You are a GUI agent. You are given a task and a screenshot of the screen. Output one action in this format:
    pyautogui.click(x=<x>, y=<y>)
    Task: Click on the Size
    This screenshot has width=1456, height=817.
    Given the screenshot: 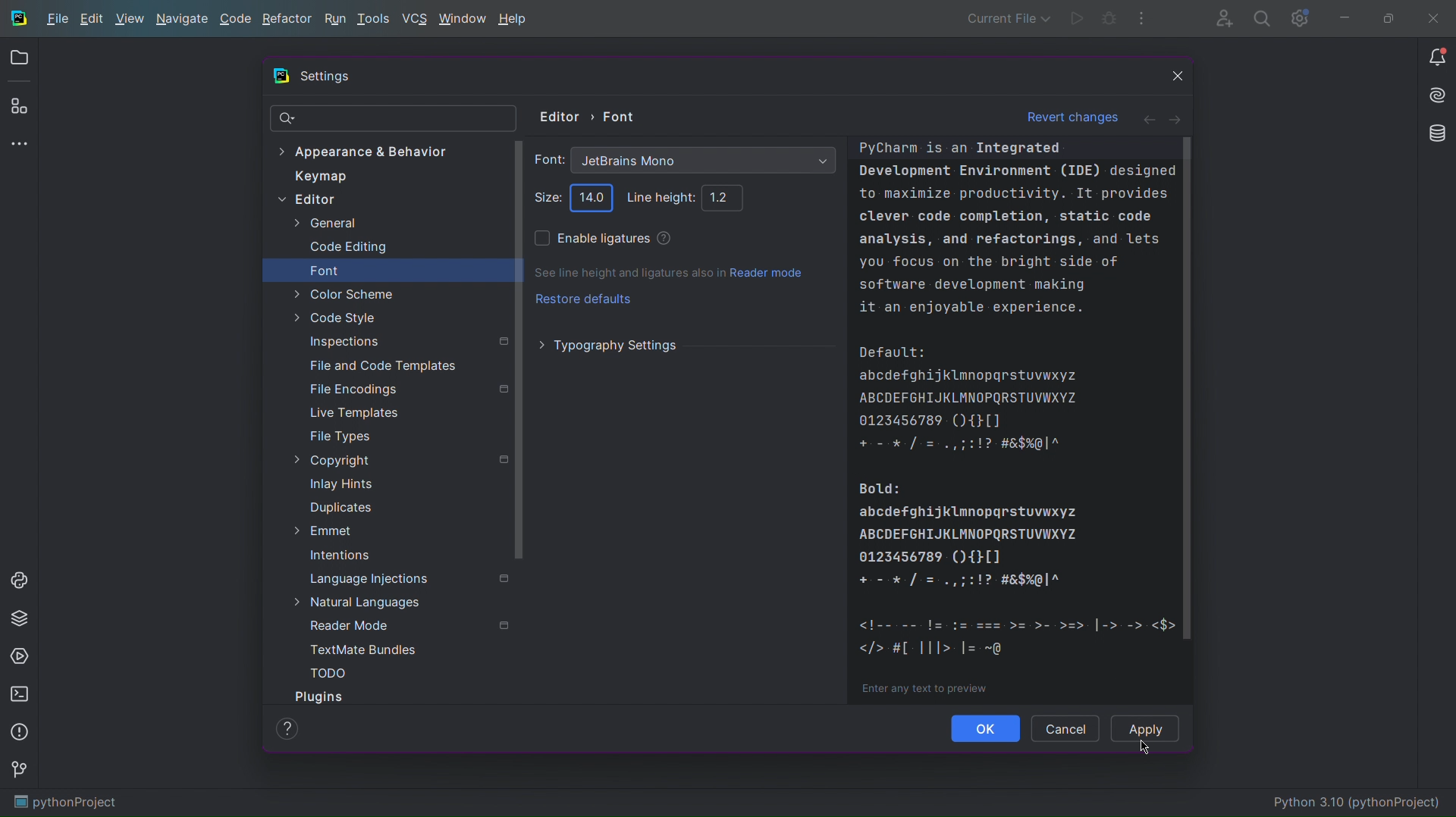 What is the action you would take?
    pyautogui.click(x=548, y=198)
    